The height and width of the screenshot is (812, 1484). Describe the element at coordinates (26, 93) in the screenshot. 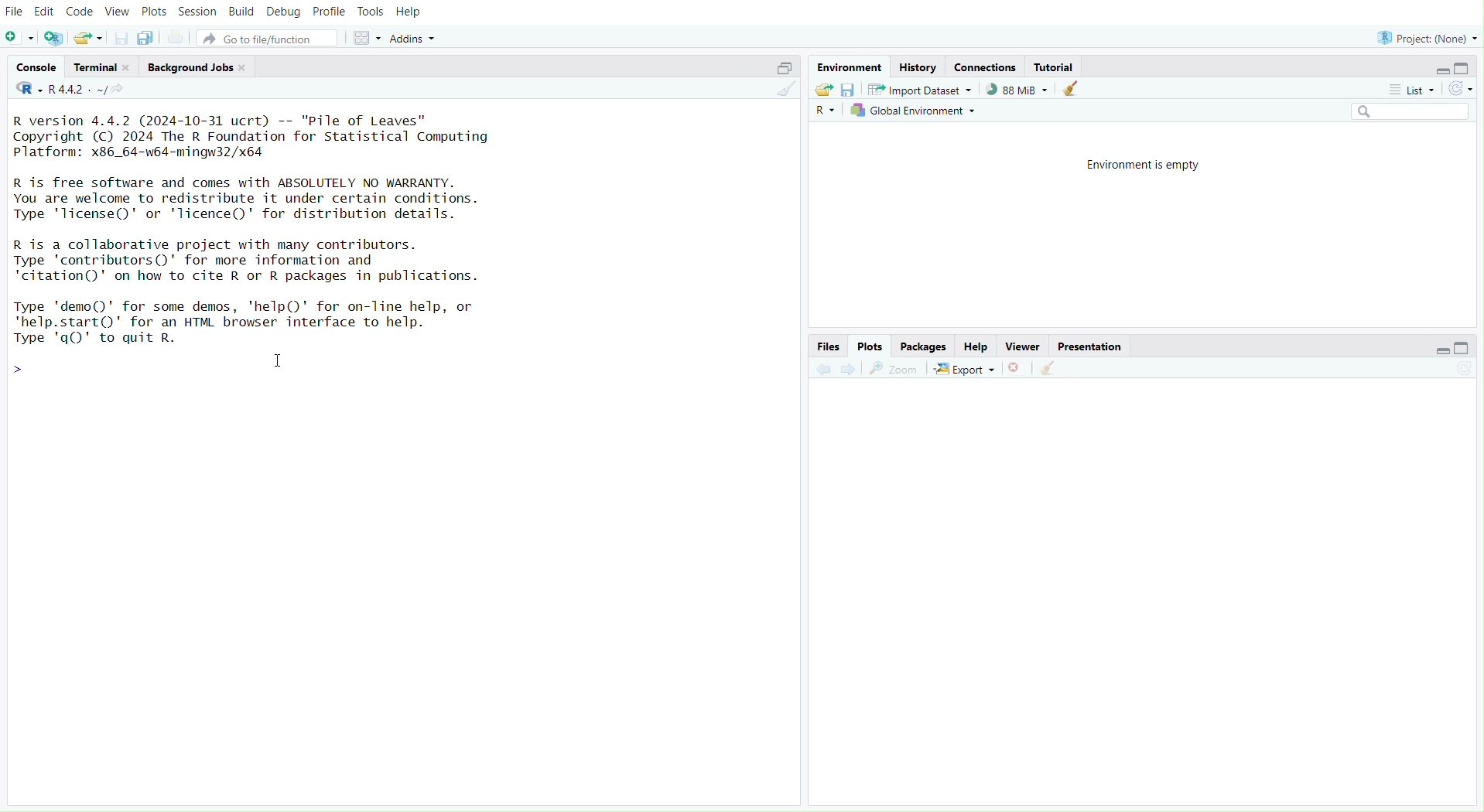

I see `R` at that location.